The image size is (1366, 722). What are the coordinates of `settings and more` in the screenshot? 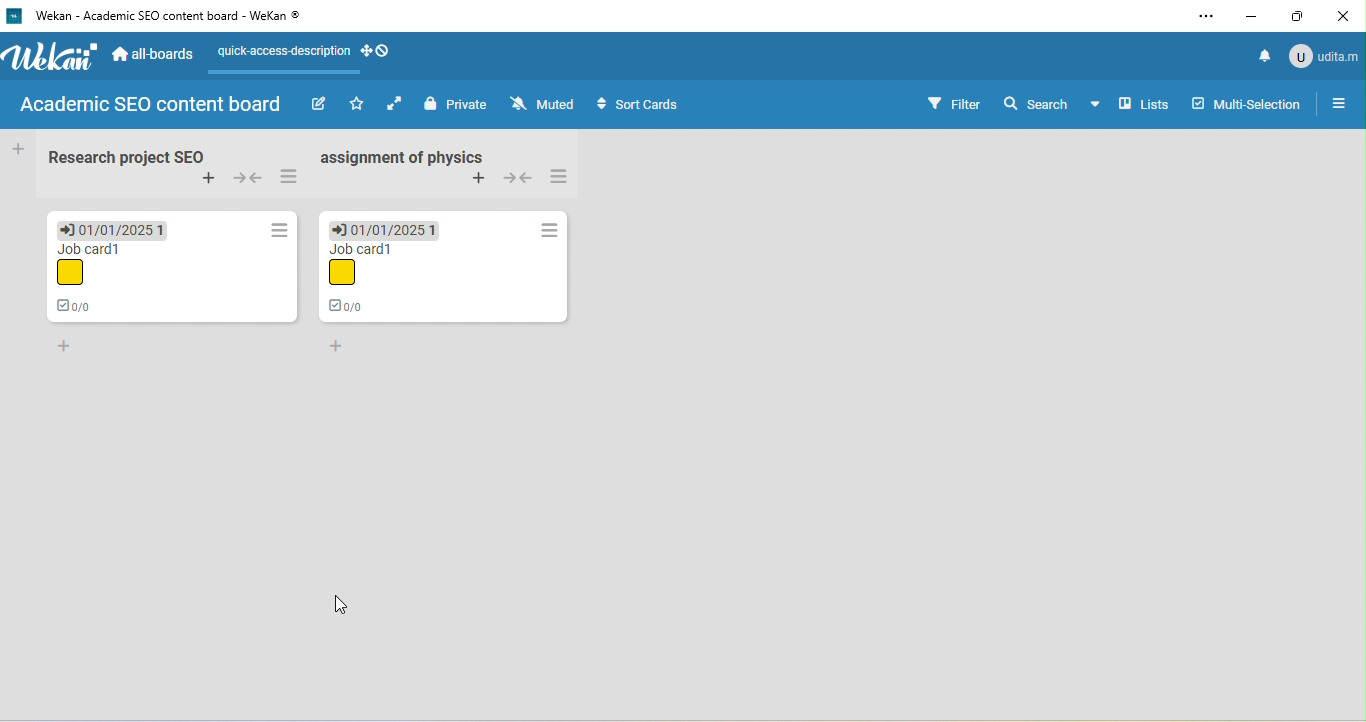 It's located at (1206, 18).